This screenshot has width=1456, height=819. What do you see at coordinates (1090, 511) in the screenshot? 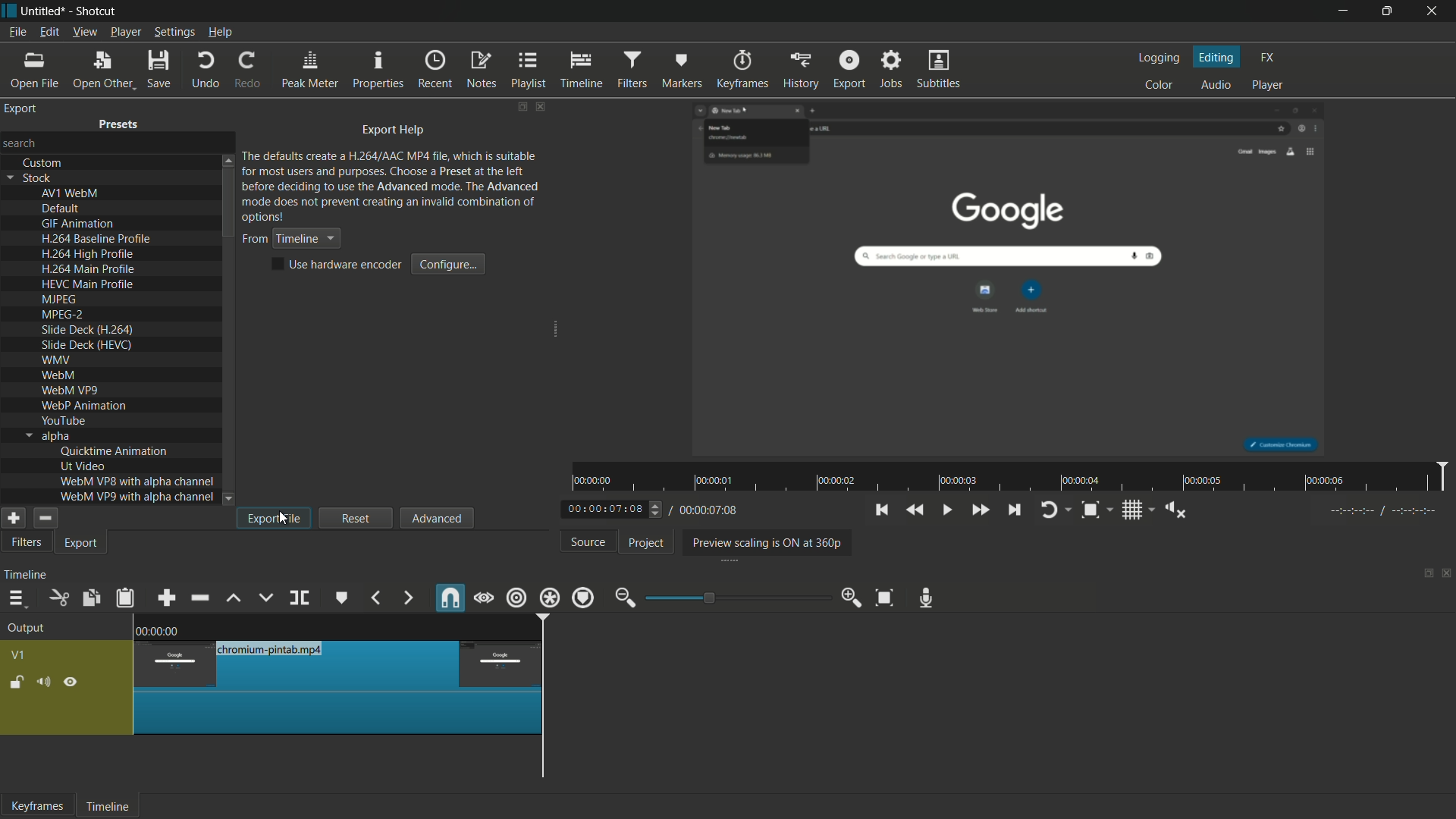
I see `toggle zoom` at bounding box center [1090, 511].